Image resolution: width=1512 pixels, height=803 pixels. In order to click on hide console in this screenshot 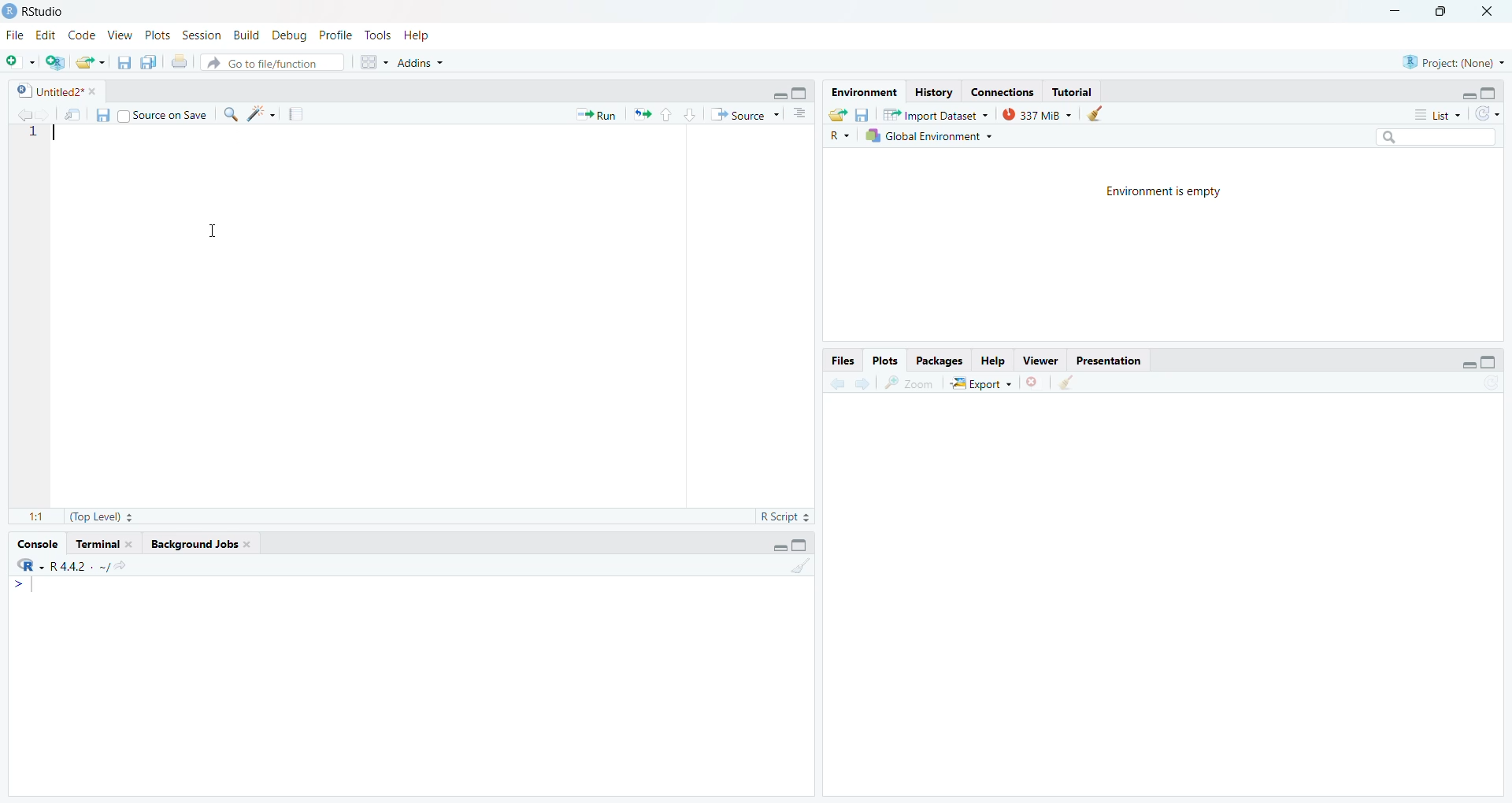, I will do `click(1490, 94)`.